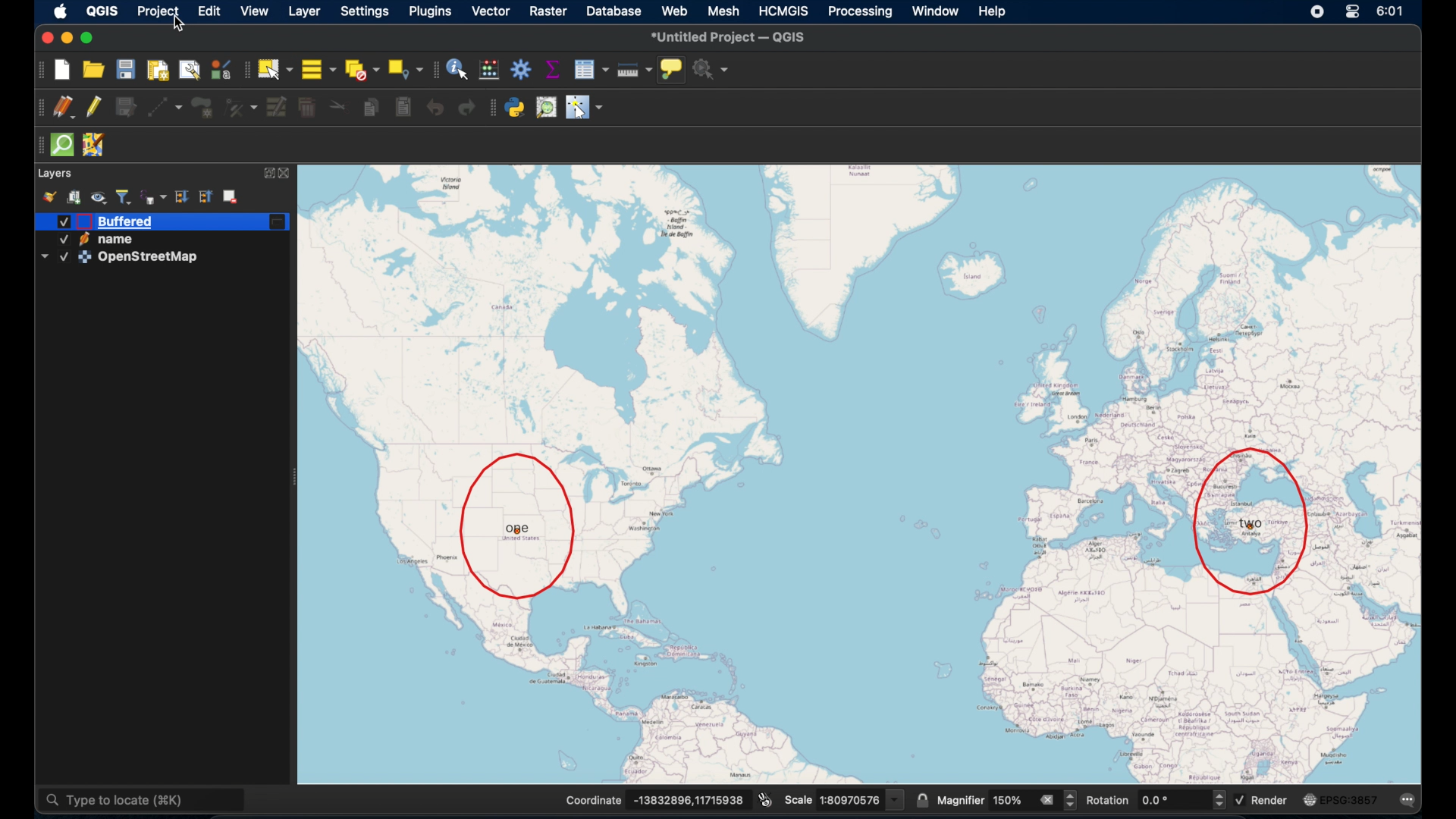 The image size is (1456, 819). Describe the element at coordinates (206, 106) in the screenshot. I see `add polygon feature` at that location.